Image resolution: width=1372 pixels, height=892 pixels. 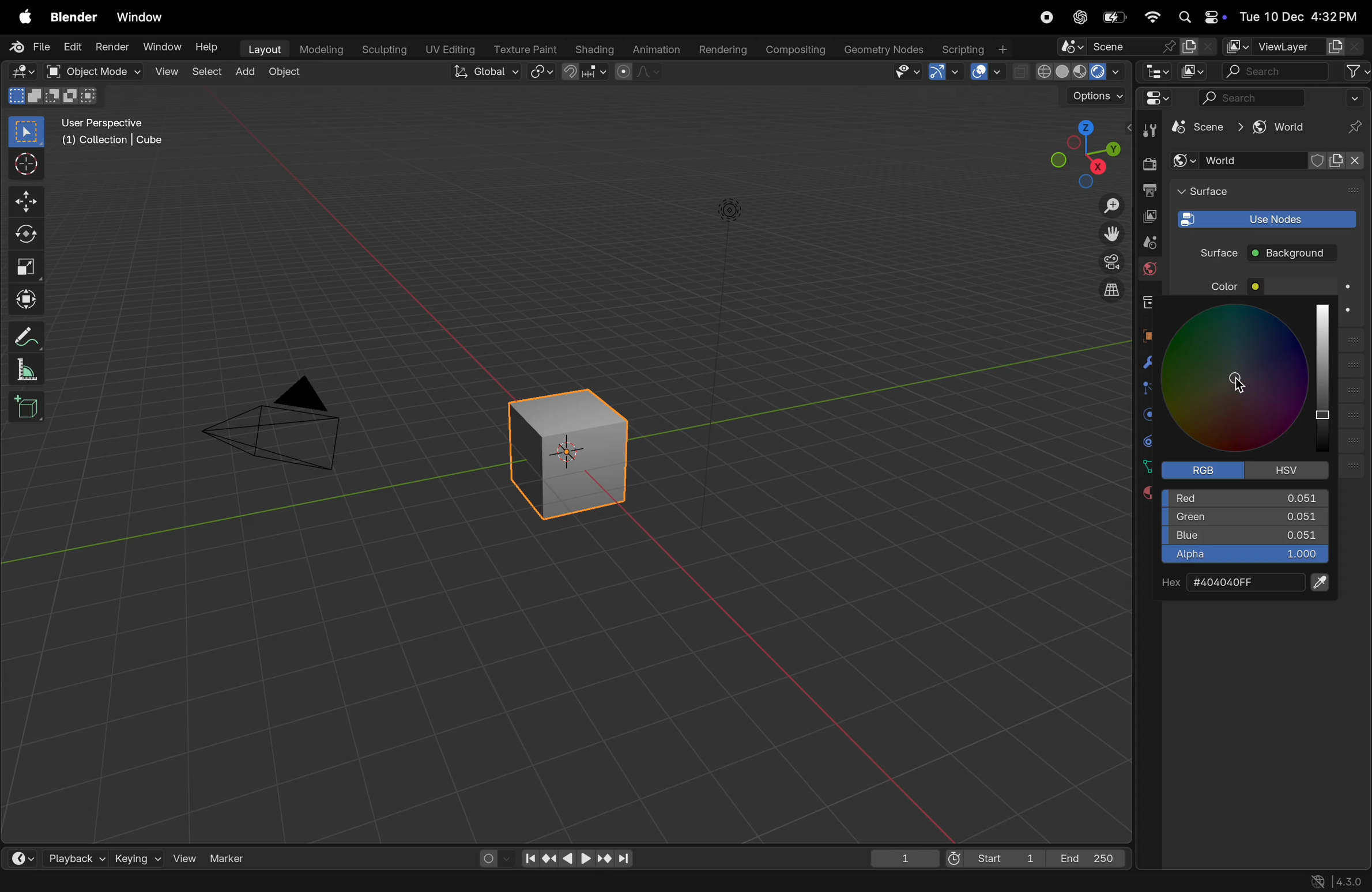 What do you see at coordinates (1148, 440) in the screenshot?
I see `constraints` at bounding box center [1148, 440].